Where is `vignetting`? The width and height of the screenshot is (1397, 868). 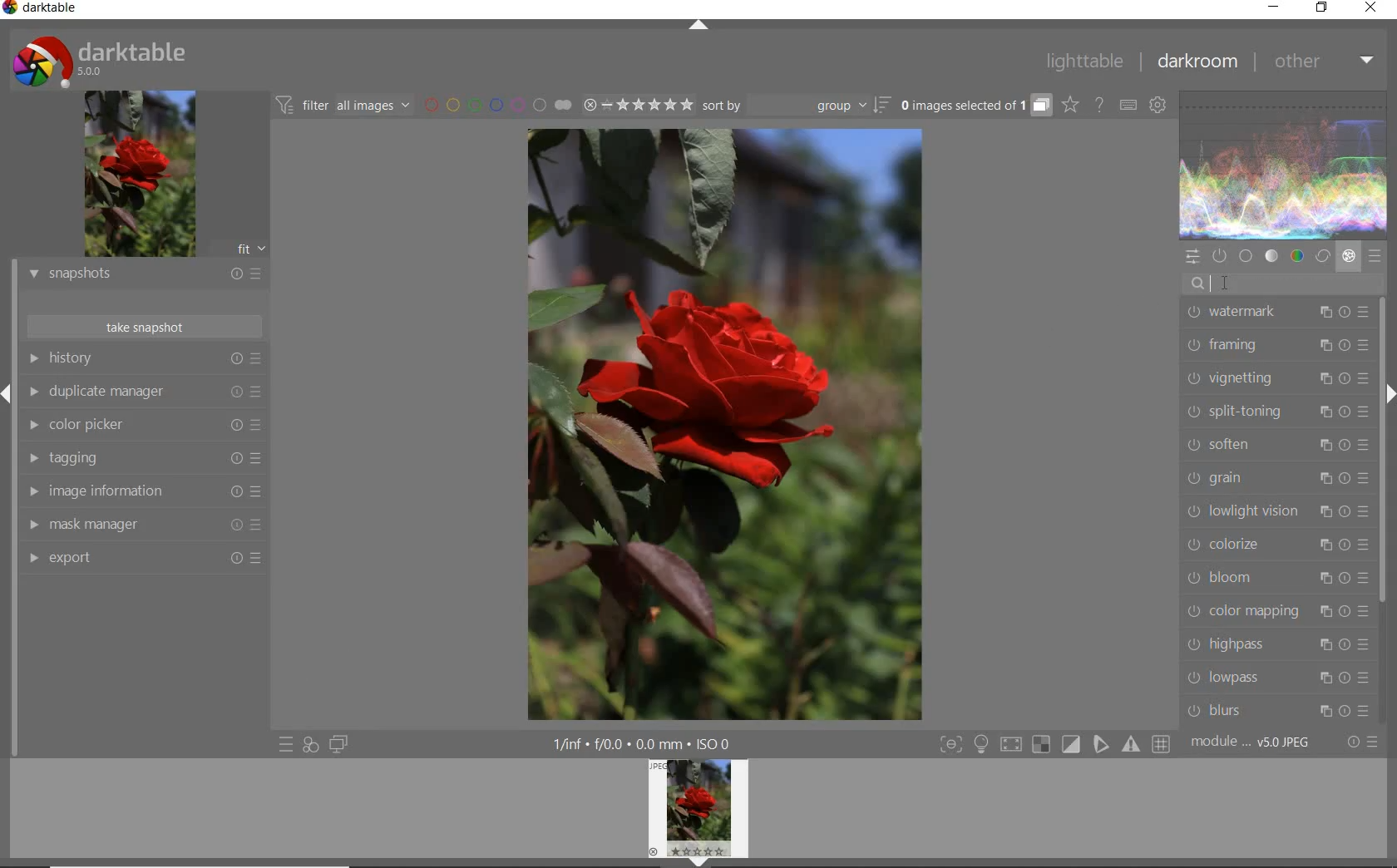 vignetting is located at coordinates (1273, 379).